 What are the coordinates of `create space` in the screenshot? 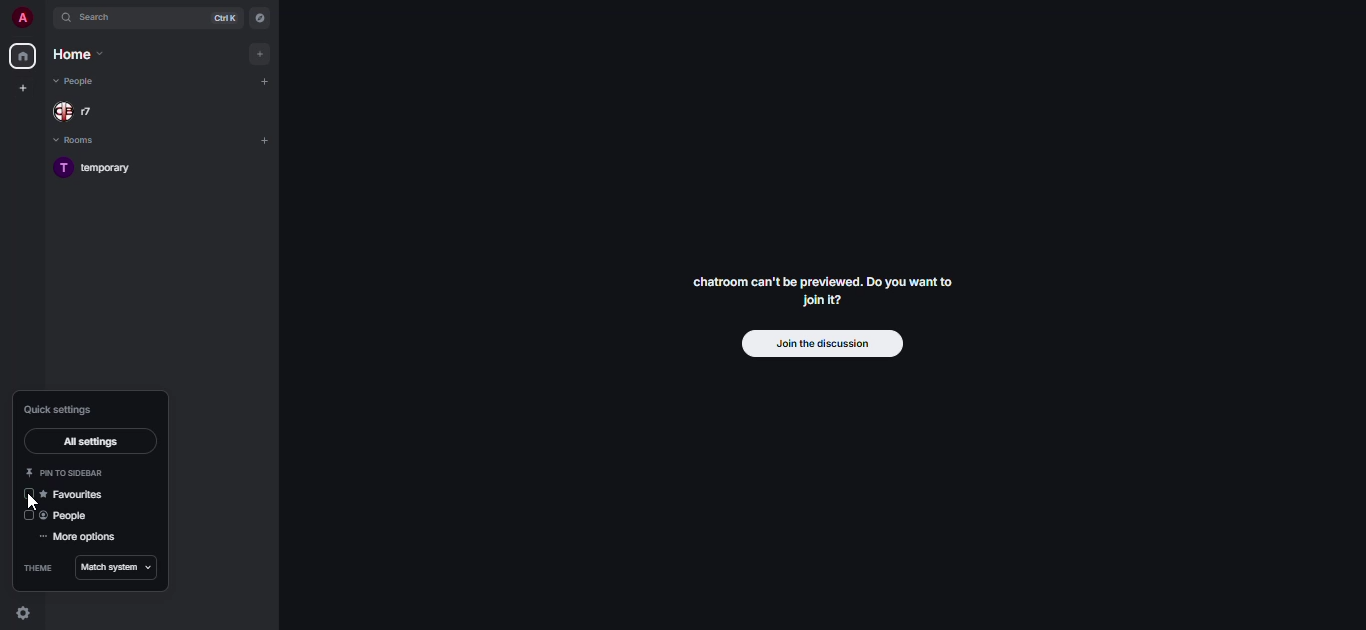 It's located at (22, 89).